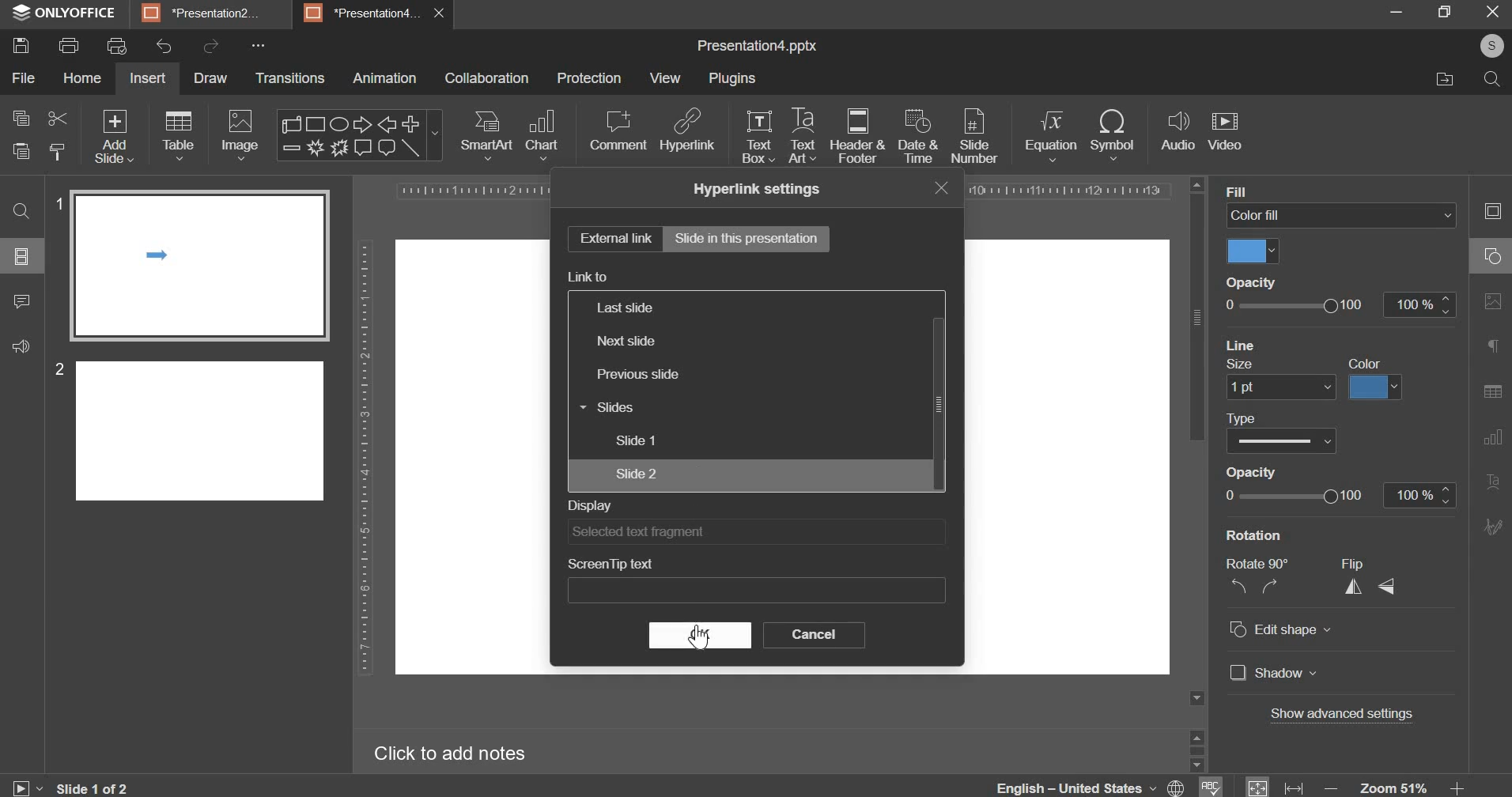  Describe the element at coordinates (1258, 536) in the screenshot. I see `Rotation` at that location.